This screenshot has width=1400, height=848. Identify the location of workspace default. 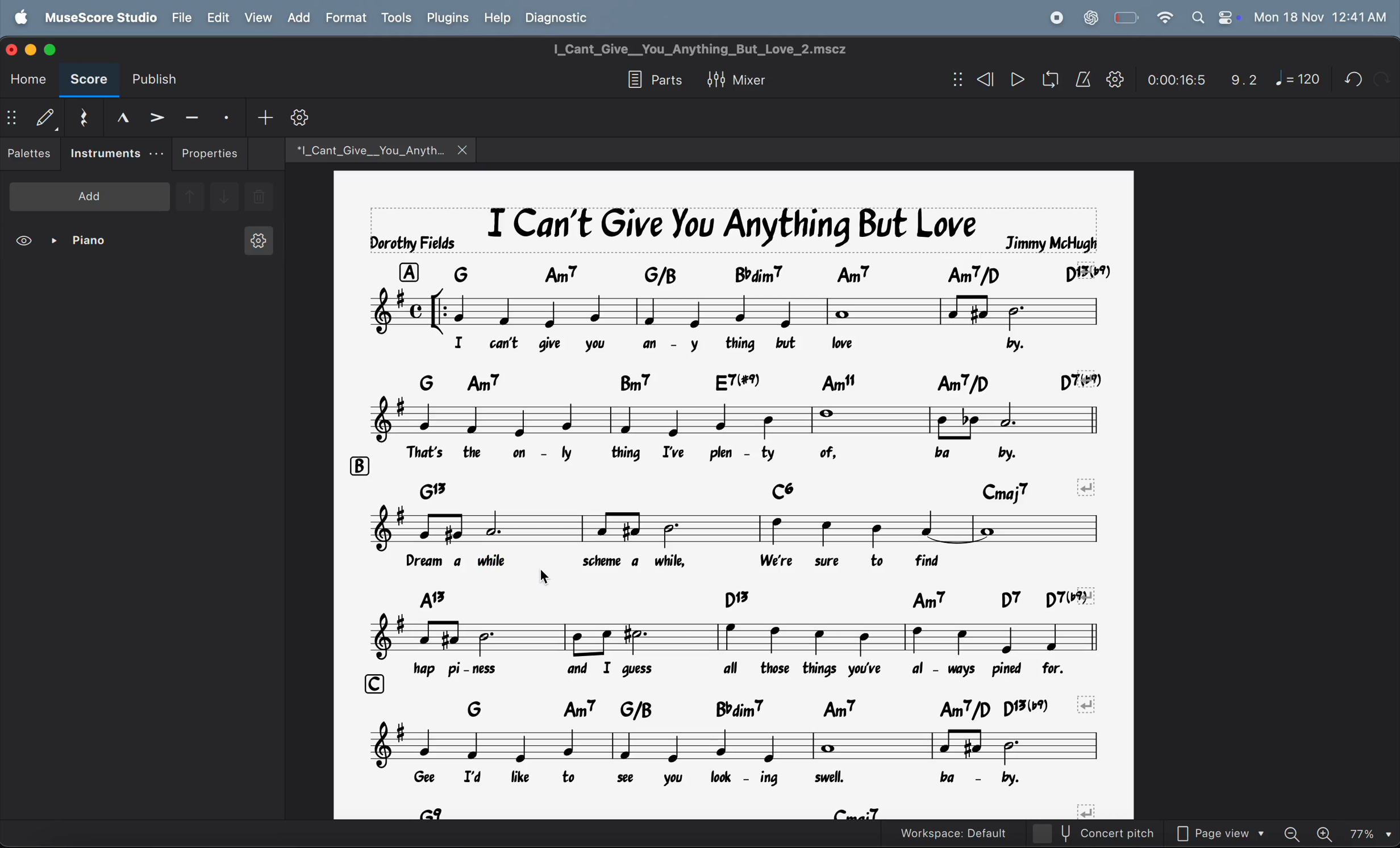
(948, 833).